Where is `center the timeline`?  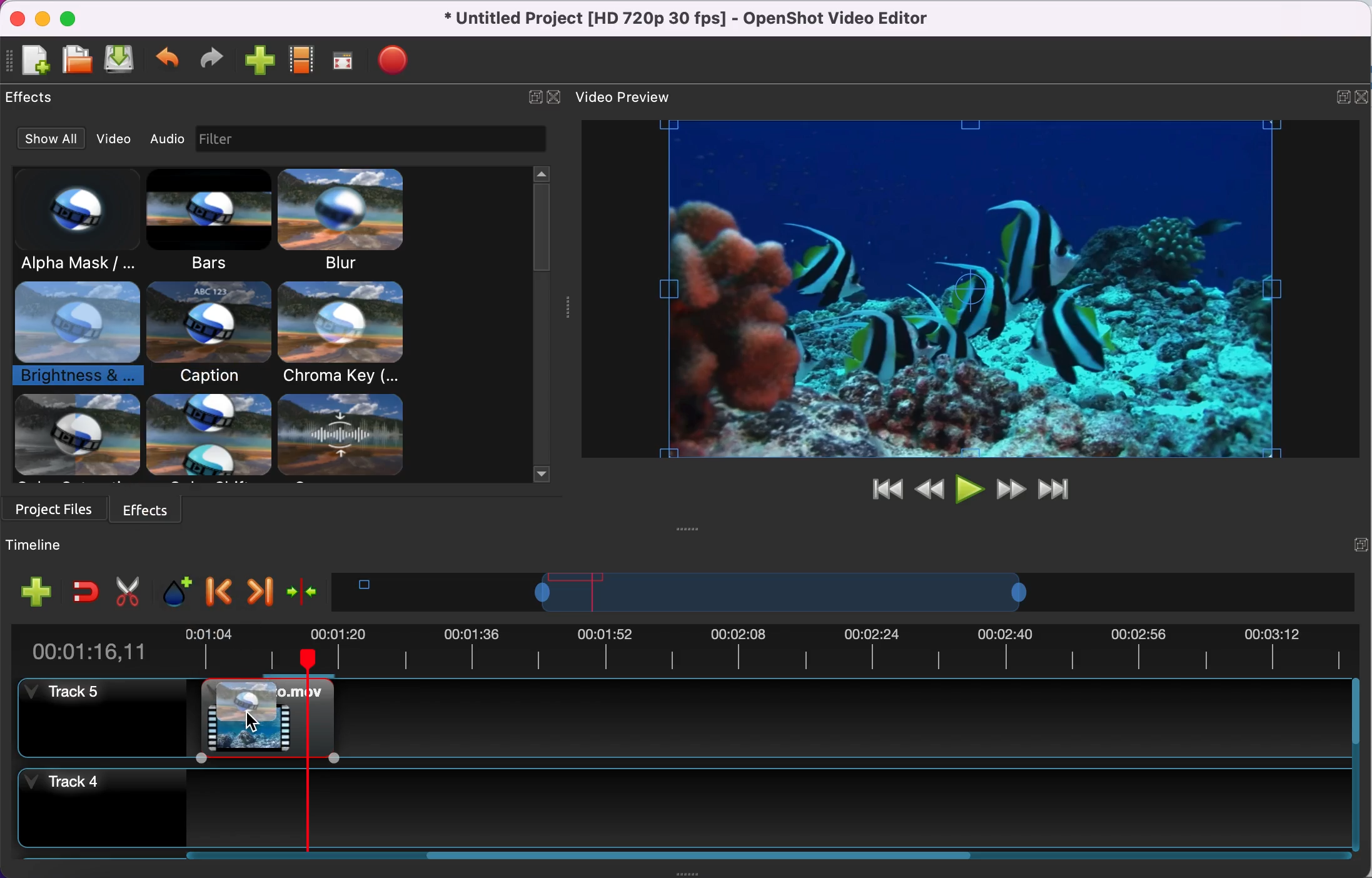 center the timeline is located at coordinates (303, 590).